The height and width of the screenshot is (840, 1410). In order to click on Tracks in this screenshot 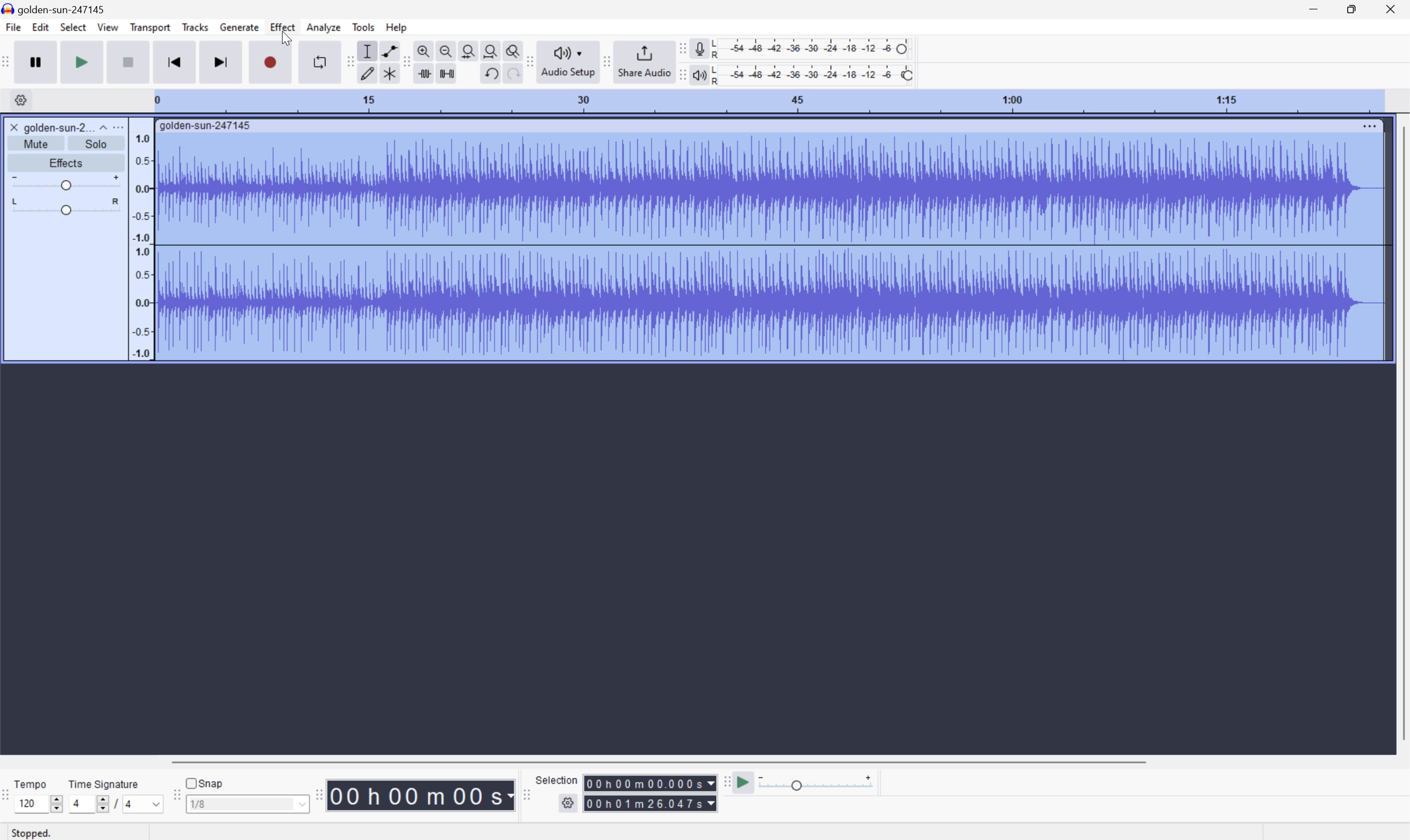, I will do `click(196, 26)`.